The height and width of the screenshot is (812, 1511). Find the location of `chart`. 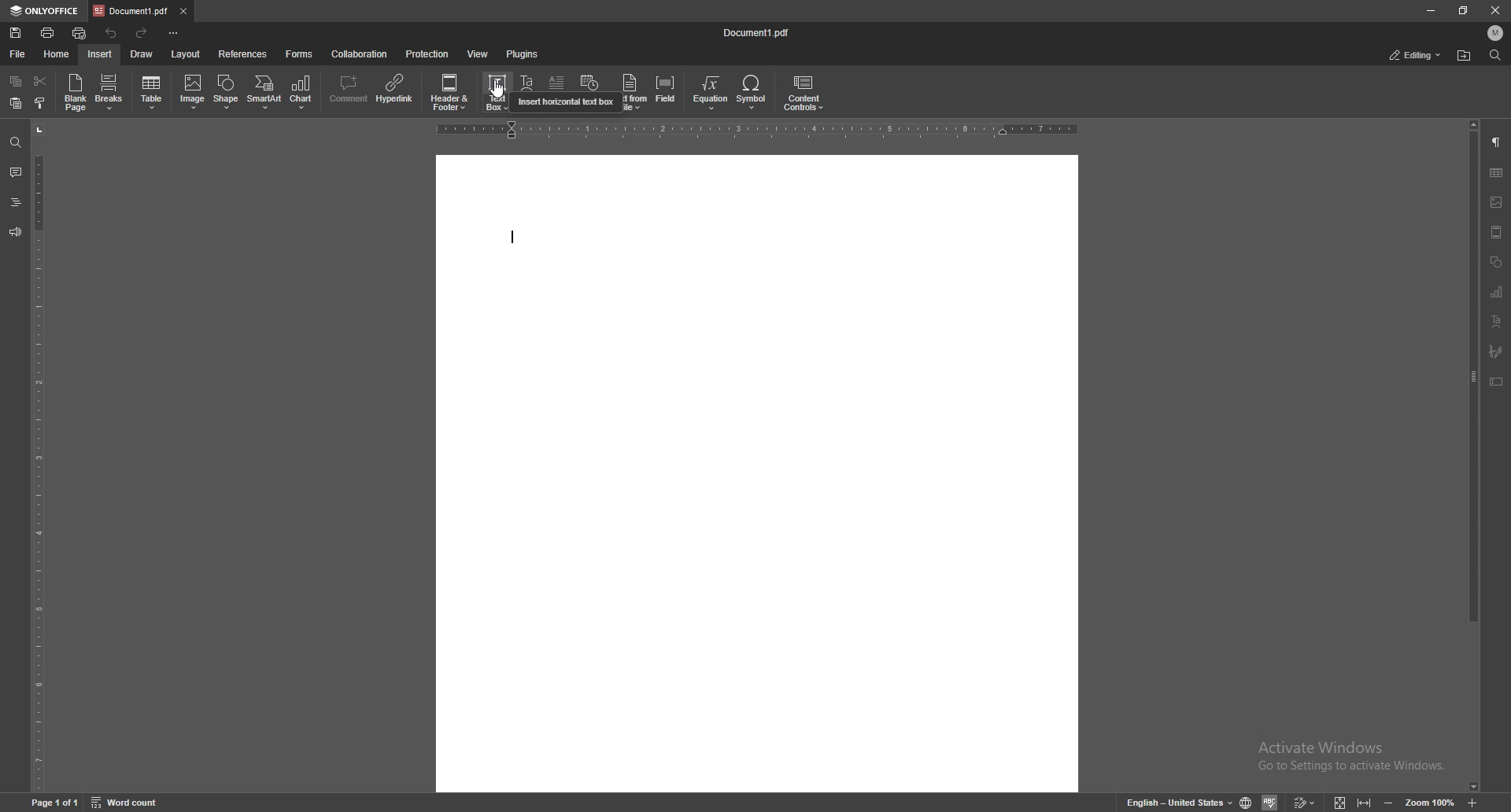

chart is located at coordinates (1495, 292).